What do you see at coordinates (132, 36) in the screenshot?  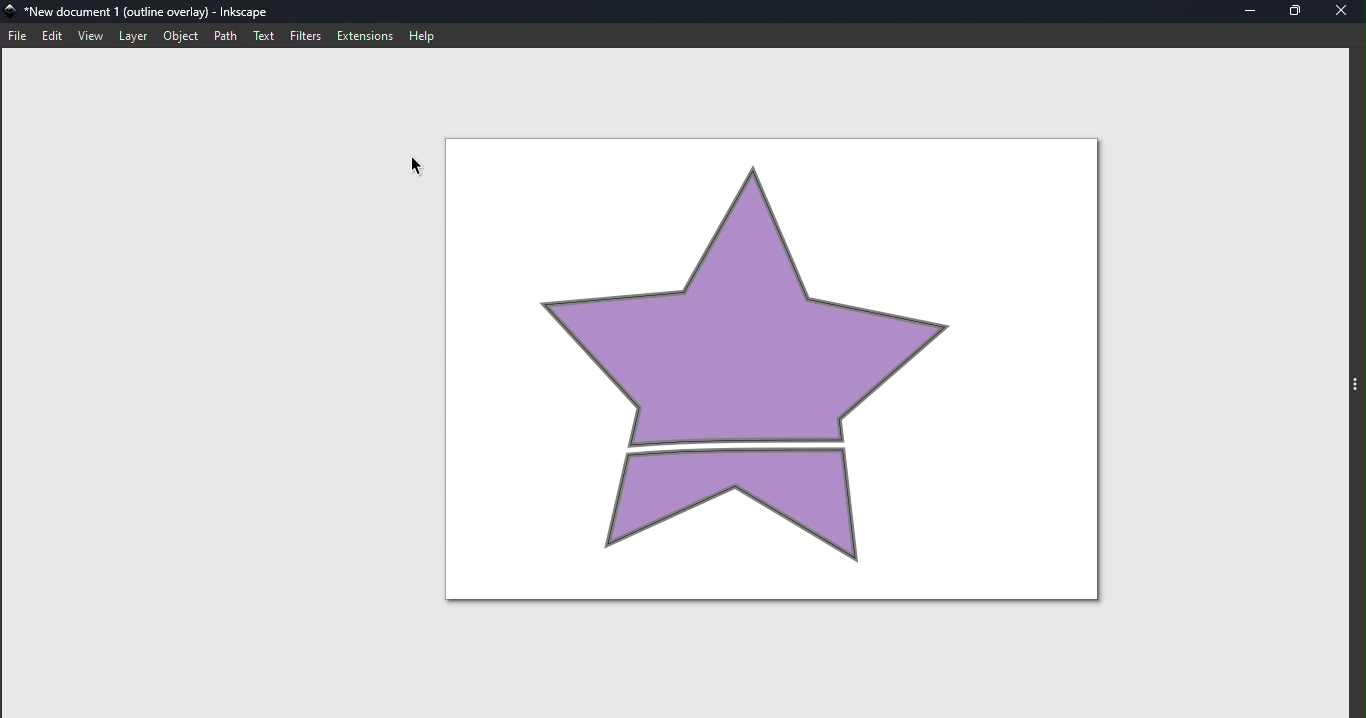 I see `Layer` at bounding box center [132, 36].